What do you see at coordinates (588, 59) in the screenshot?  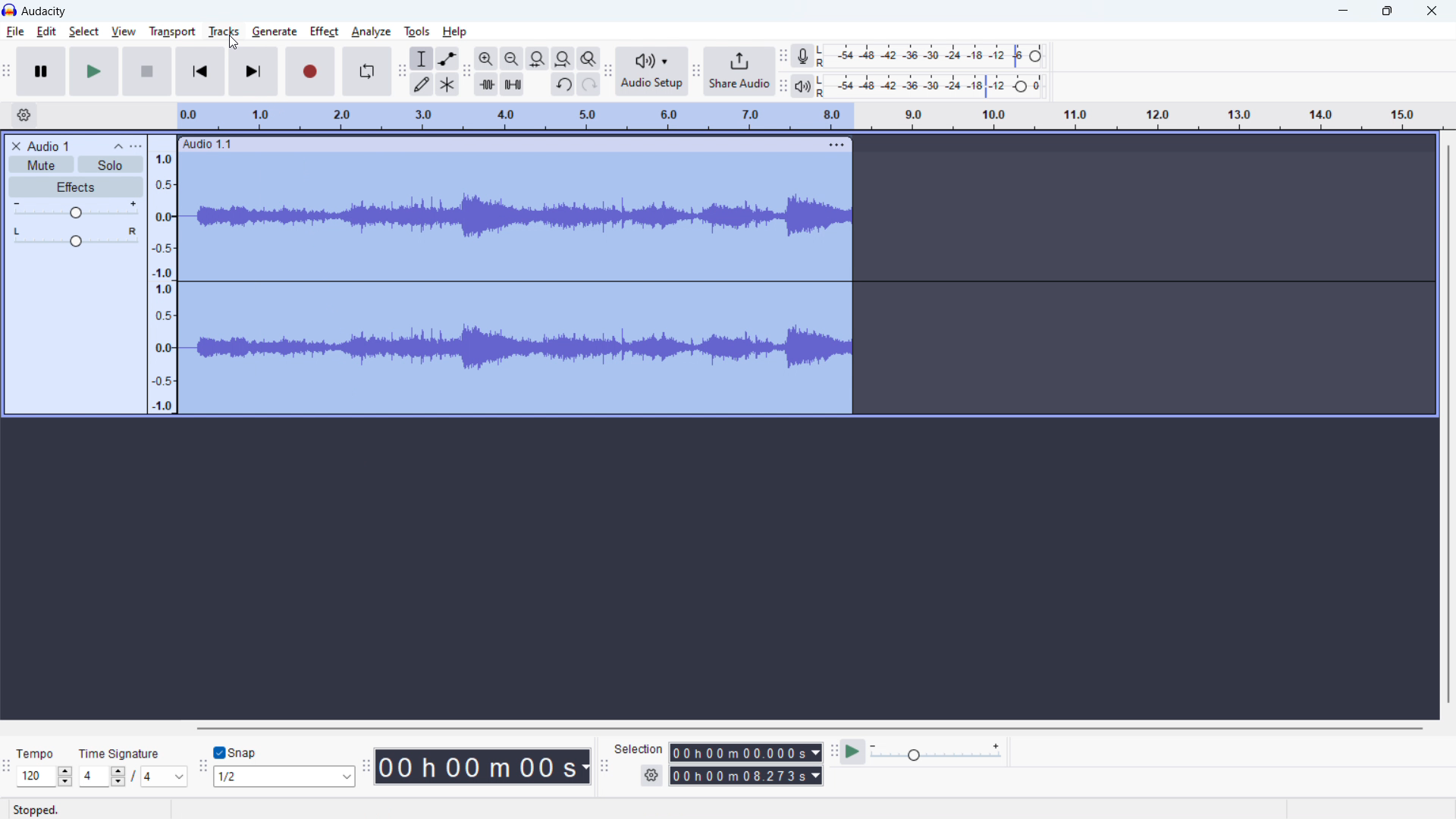 I see `toggle zoom` at bounding box center [588, 59].